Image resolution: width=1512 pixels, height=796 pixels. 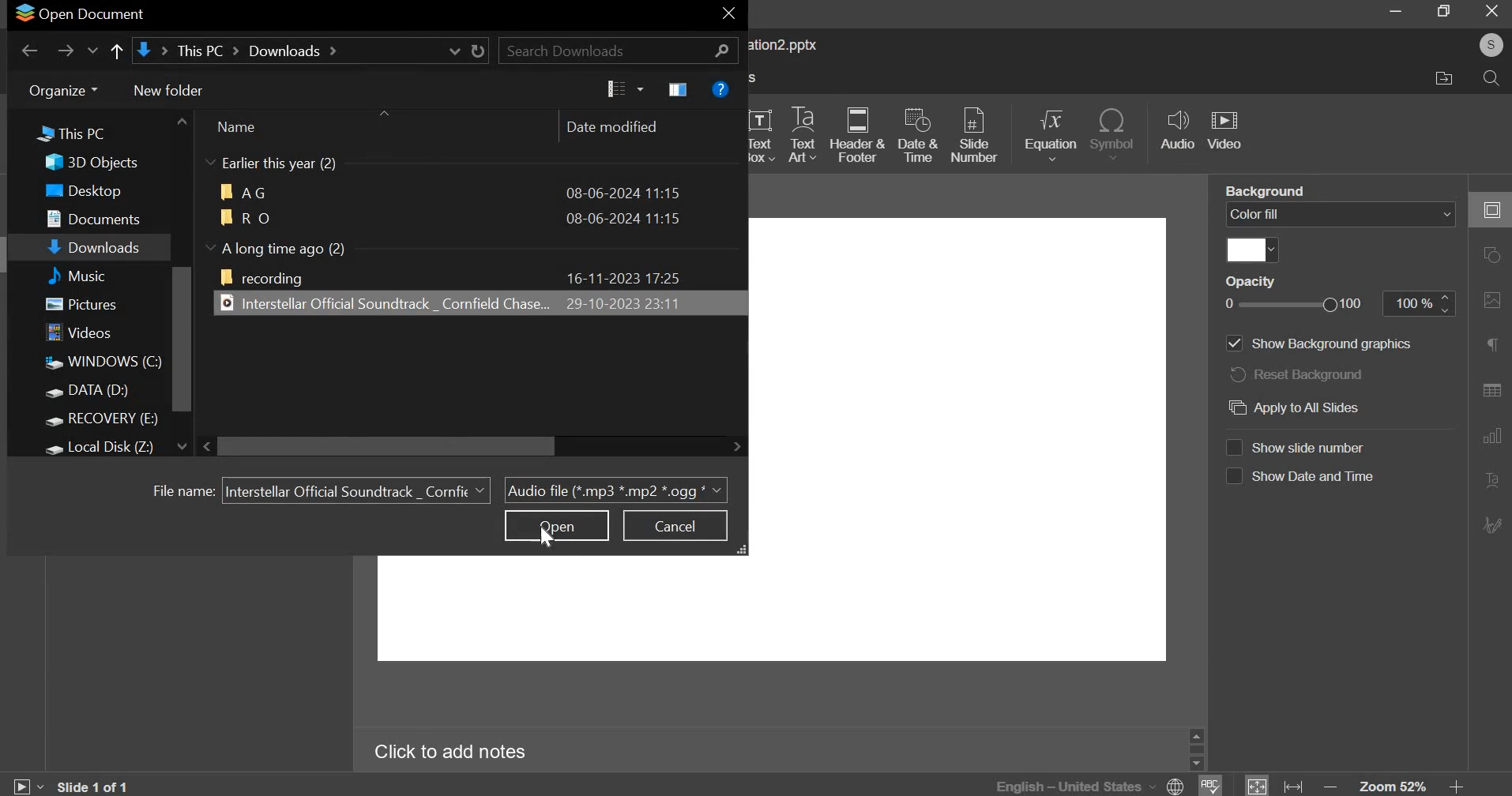 I want to click on Videos, so click(x=81, y=332).